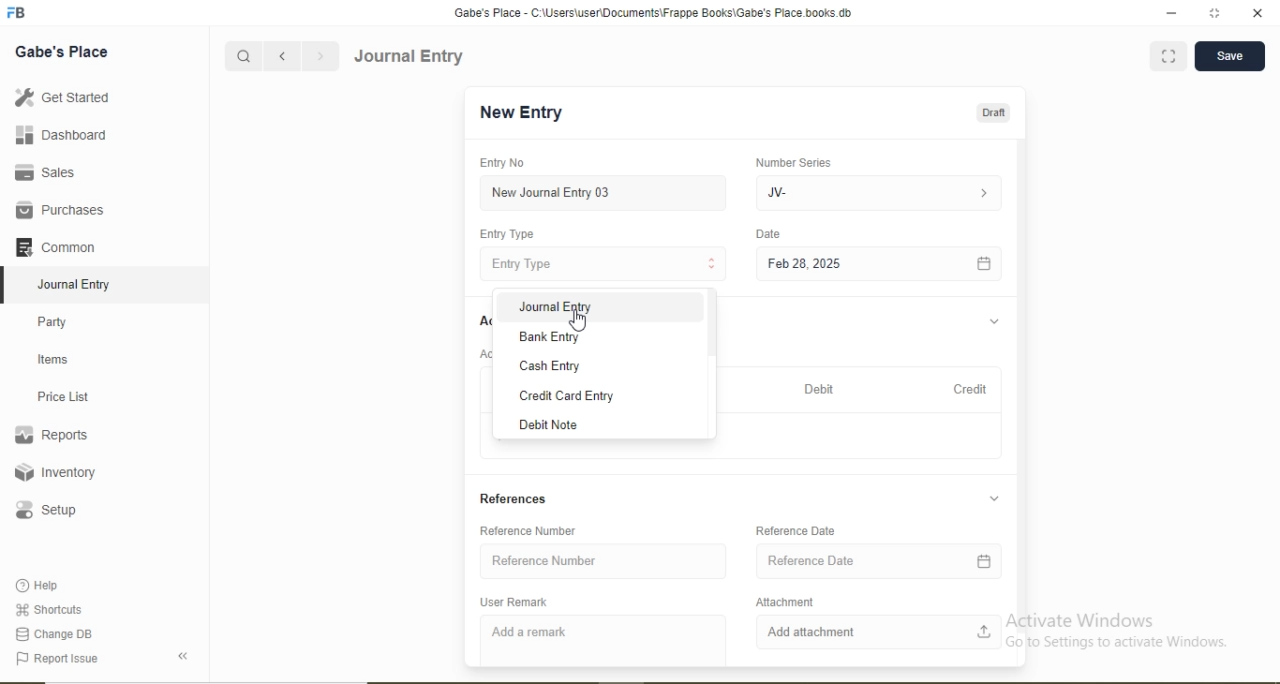 Image resolution: width=1280 pixels, height=684 pixels. I want to click on Dashboard, so click(62, 134).